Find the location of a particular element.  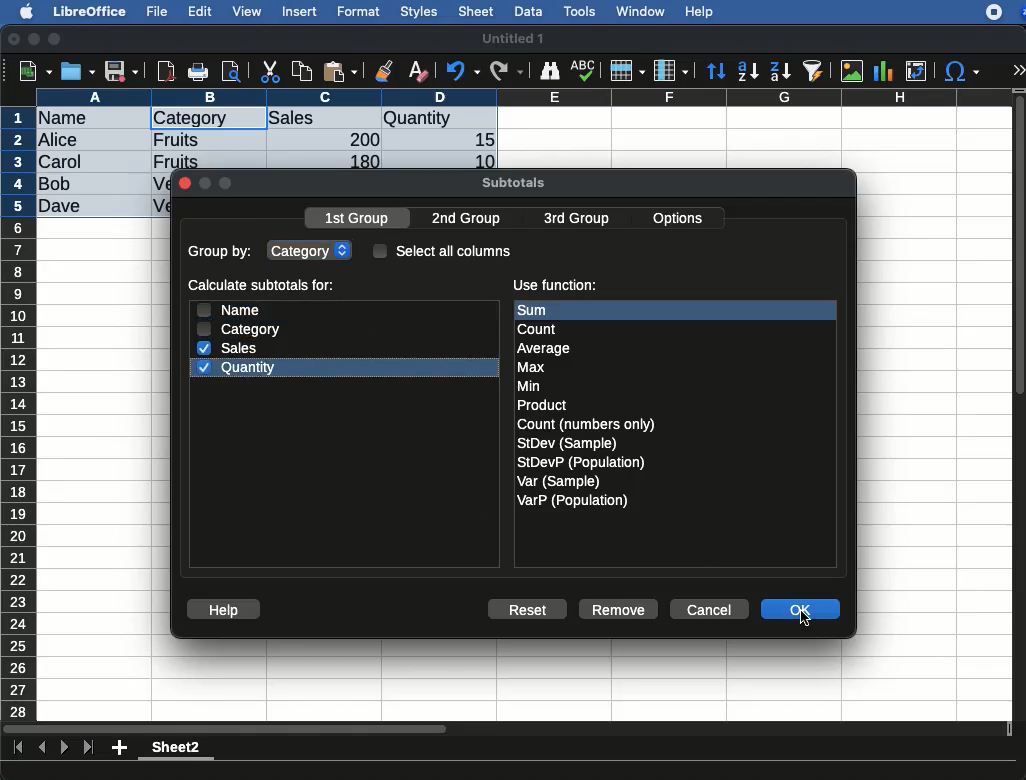

quantity  is located at coordinates (235, 370).